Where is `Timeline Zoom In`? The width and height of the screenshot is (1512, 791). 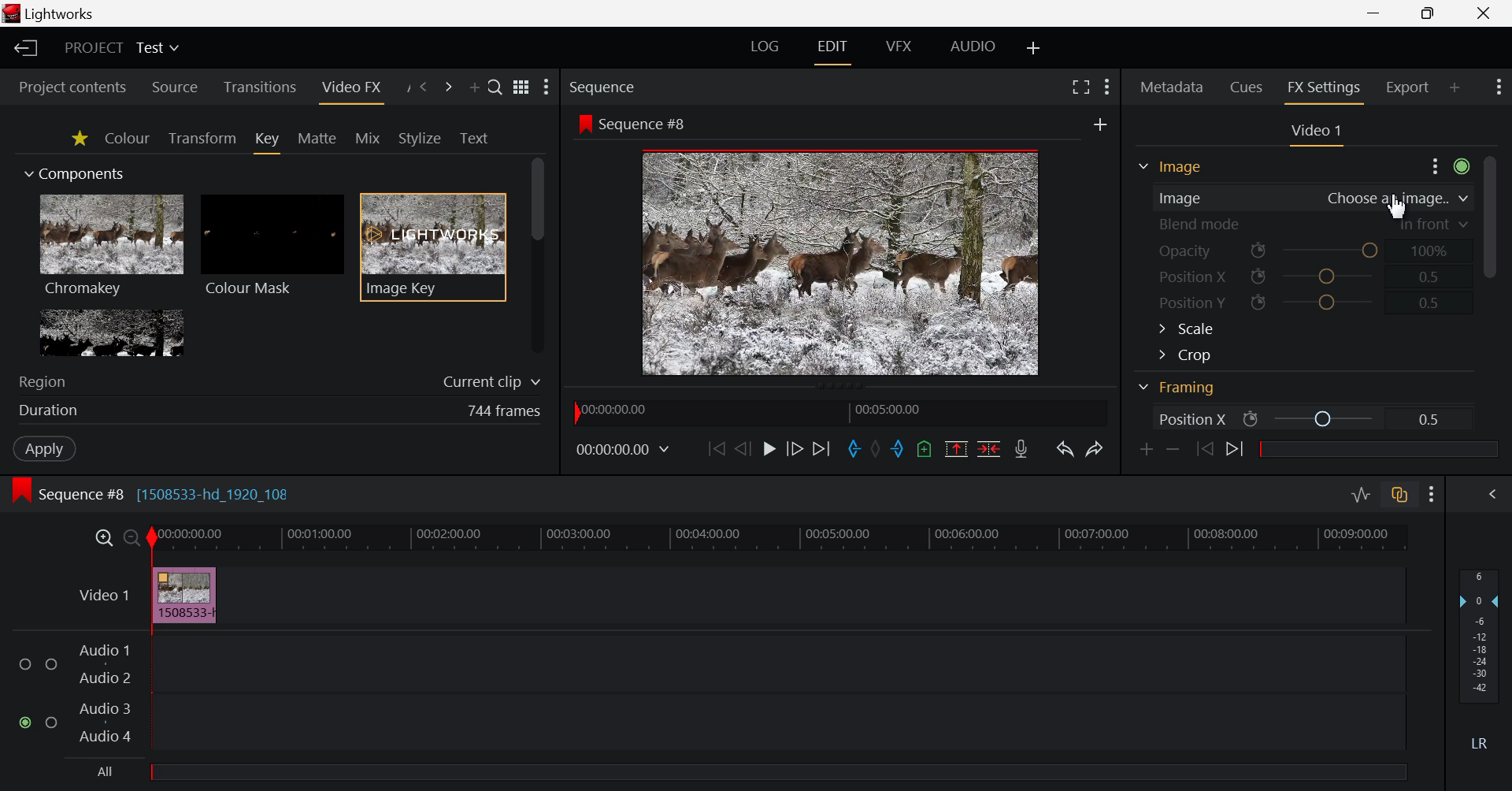 Timeline Zoom In is located at coordinates (102, 535).